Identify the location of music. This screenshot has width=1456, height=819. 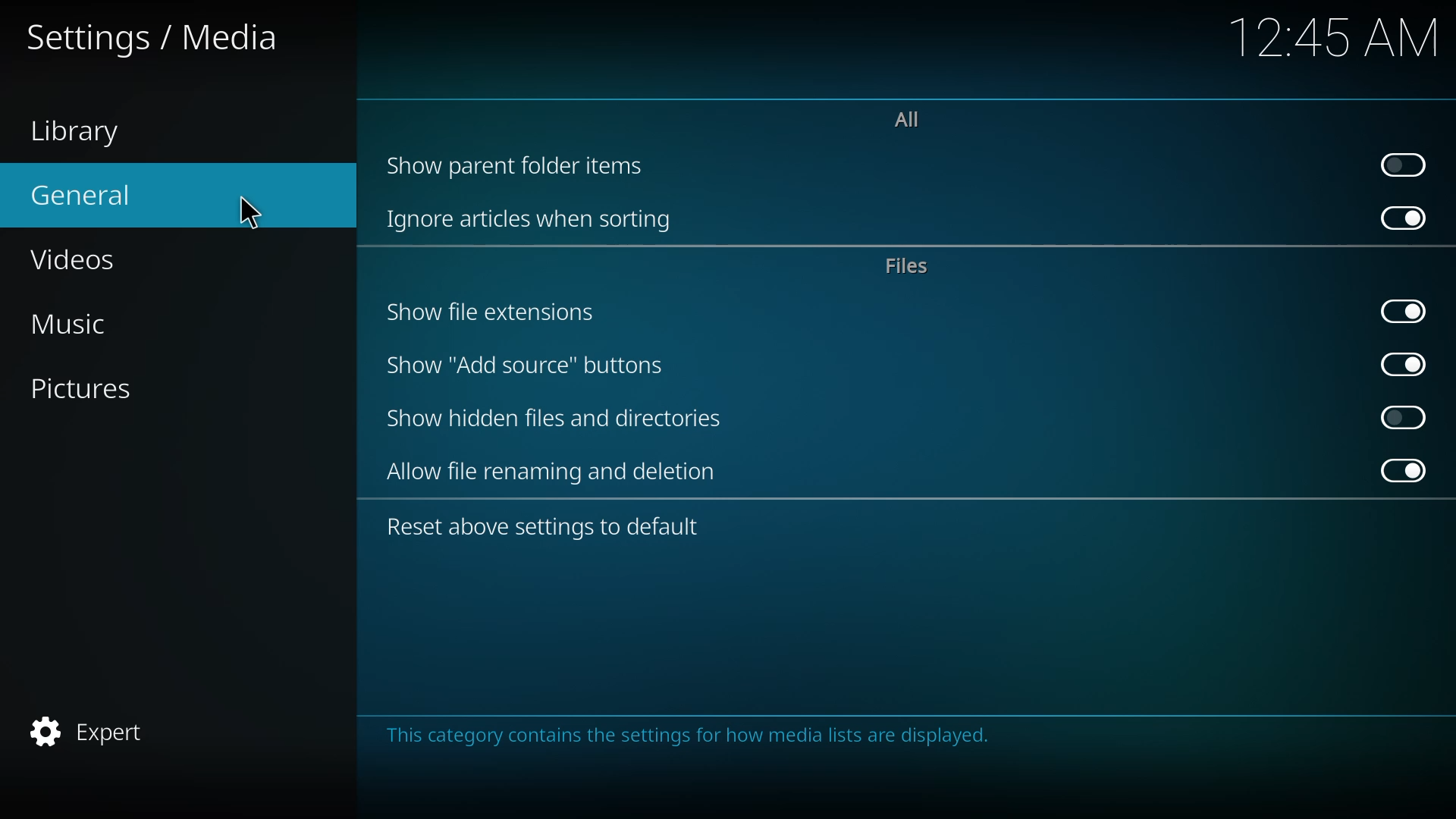
(86, 320).